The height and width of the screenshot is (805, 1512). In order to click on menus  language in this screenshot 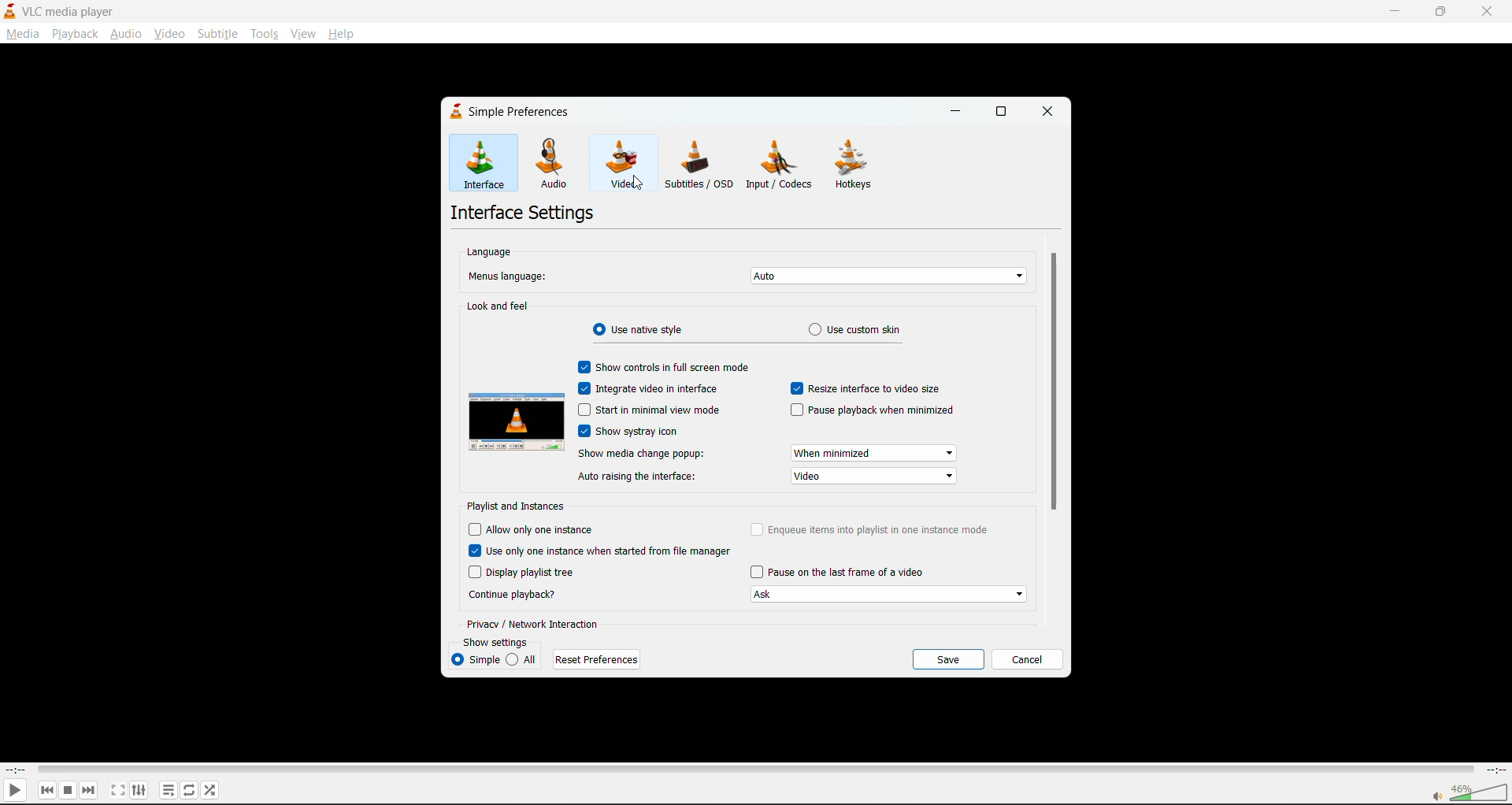, I will do `click(747, 276)`.